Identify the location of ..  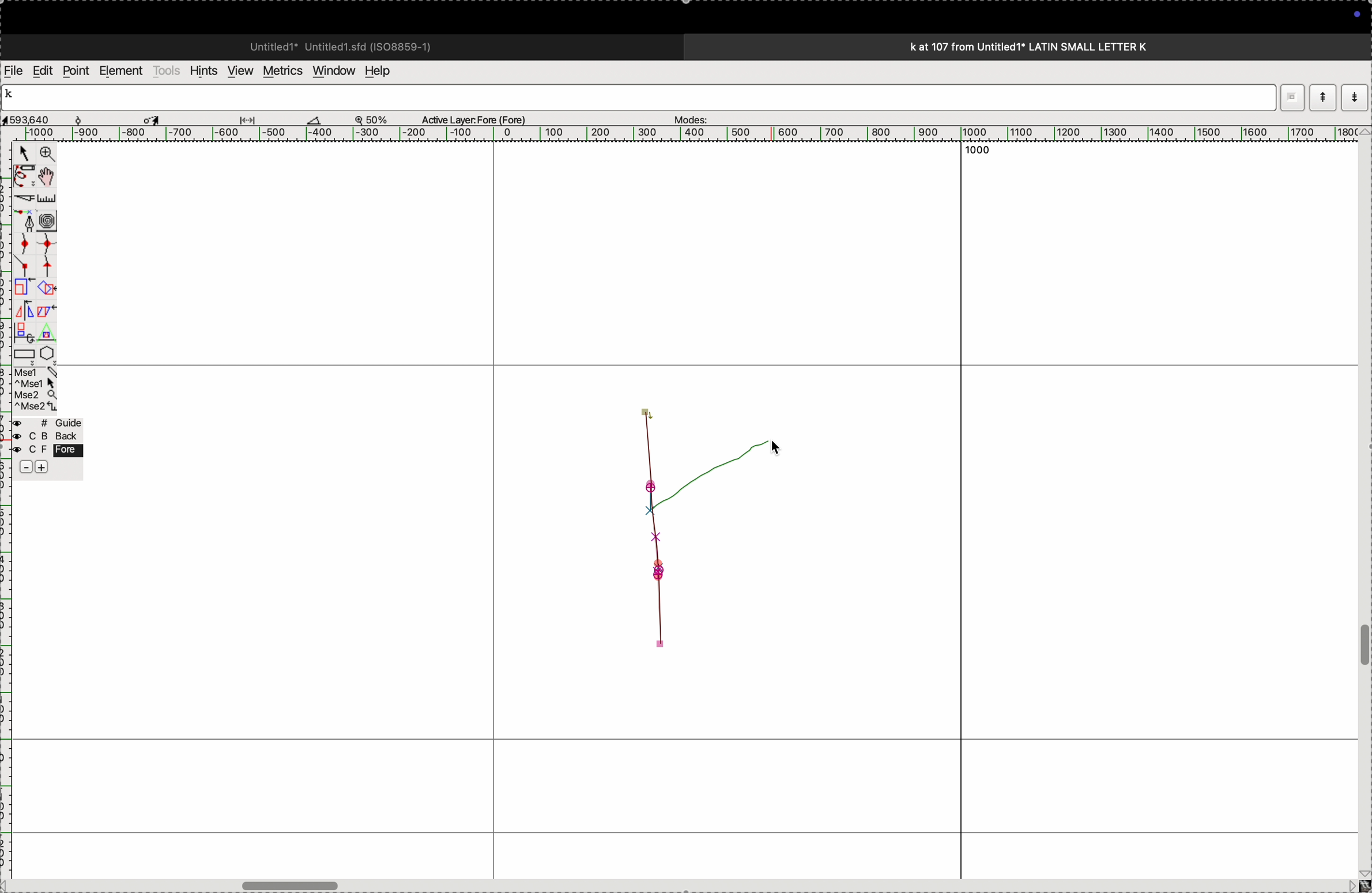
(1353, 97).